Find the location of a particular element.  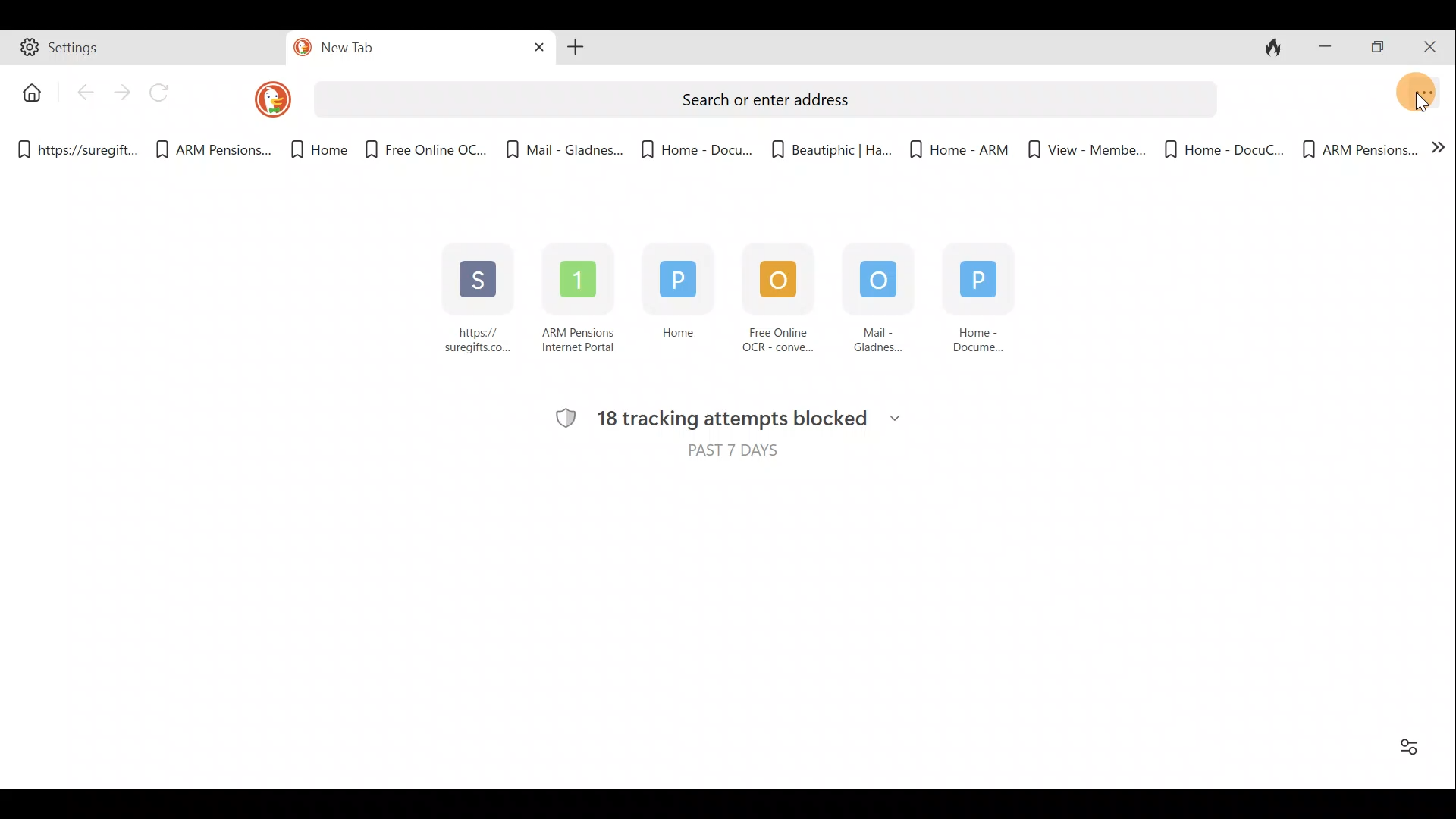

18 tracking attempts blocked  is located at coordinates (757, 421).